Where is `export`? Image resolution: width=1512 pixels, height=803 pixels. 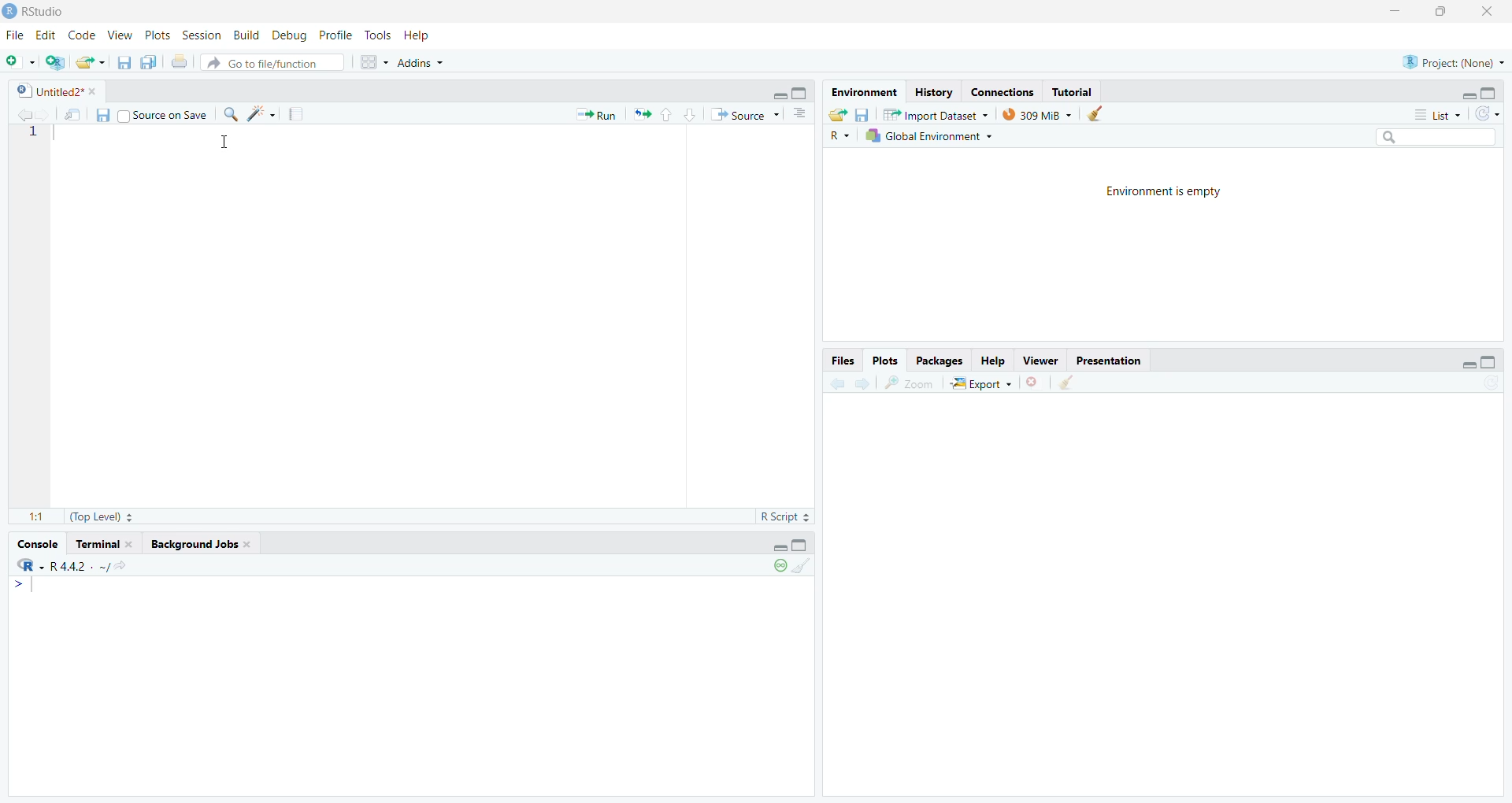 export is located at coordinates (643, 117).